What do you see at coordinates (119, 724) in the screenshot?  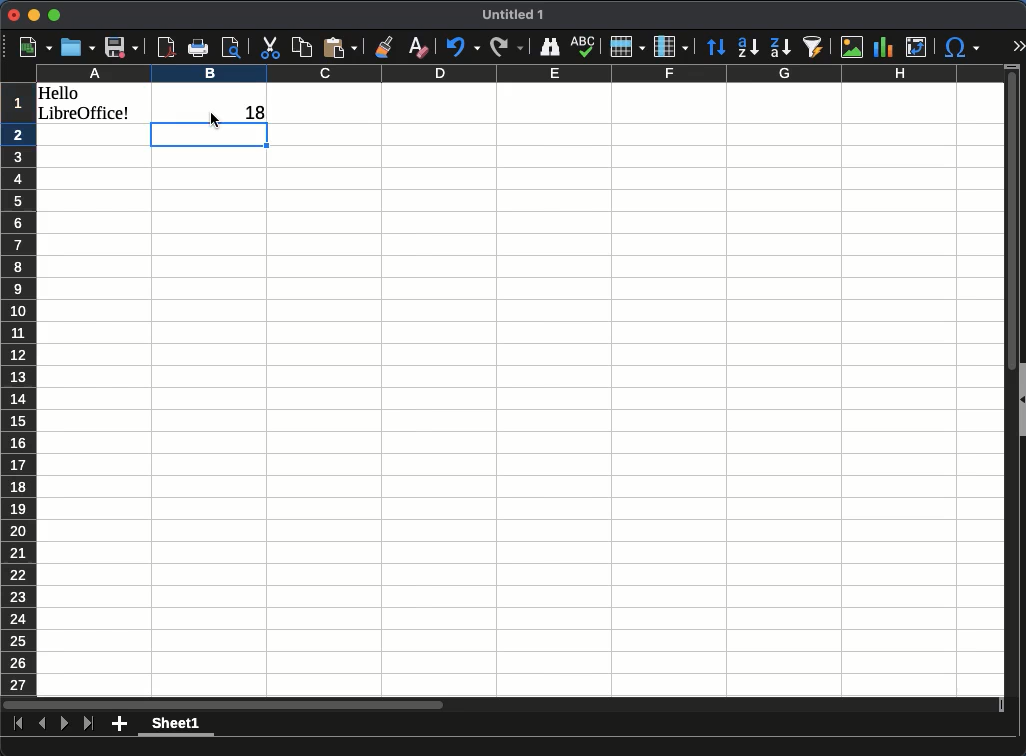 I see `add sheet` at bounding box center [119, 724].